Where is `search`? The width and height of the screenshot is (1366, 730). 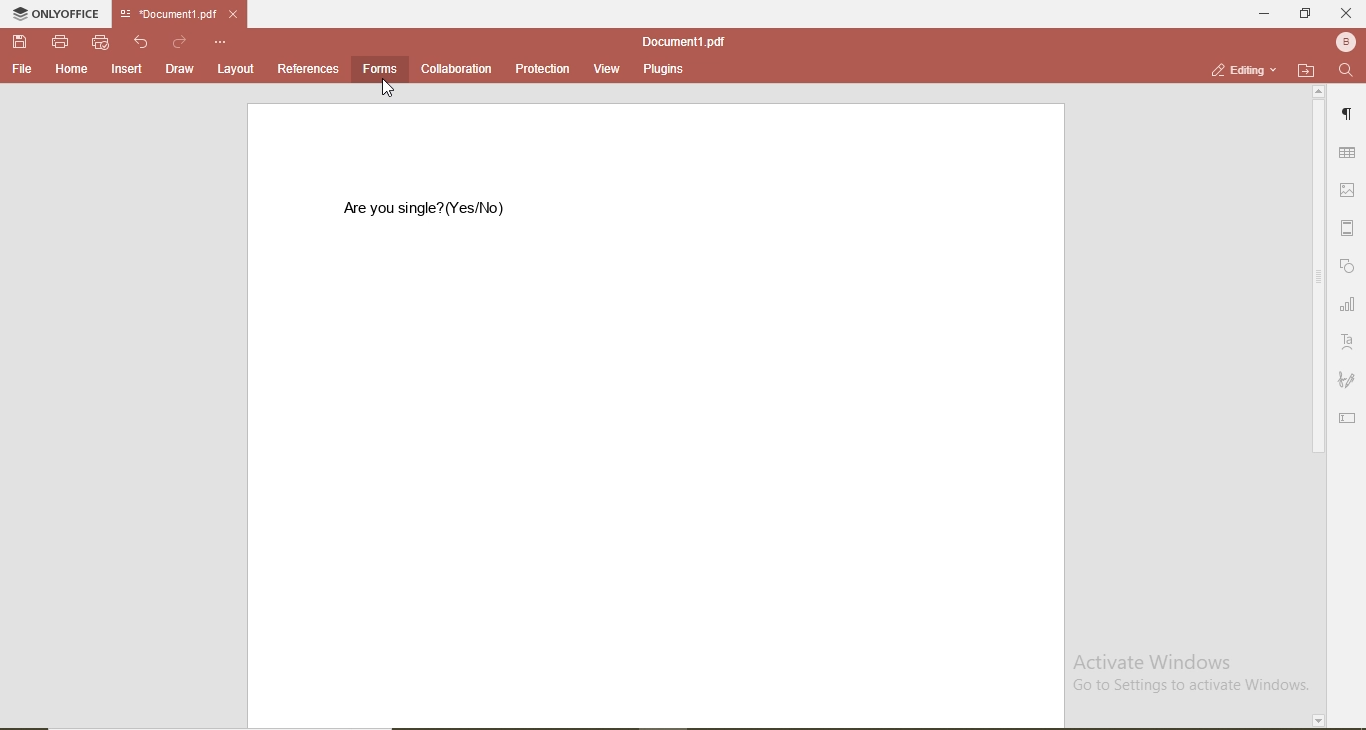
search is located at coordinates (1349, 73).